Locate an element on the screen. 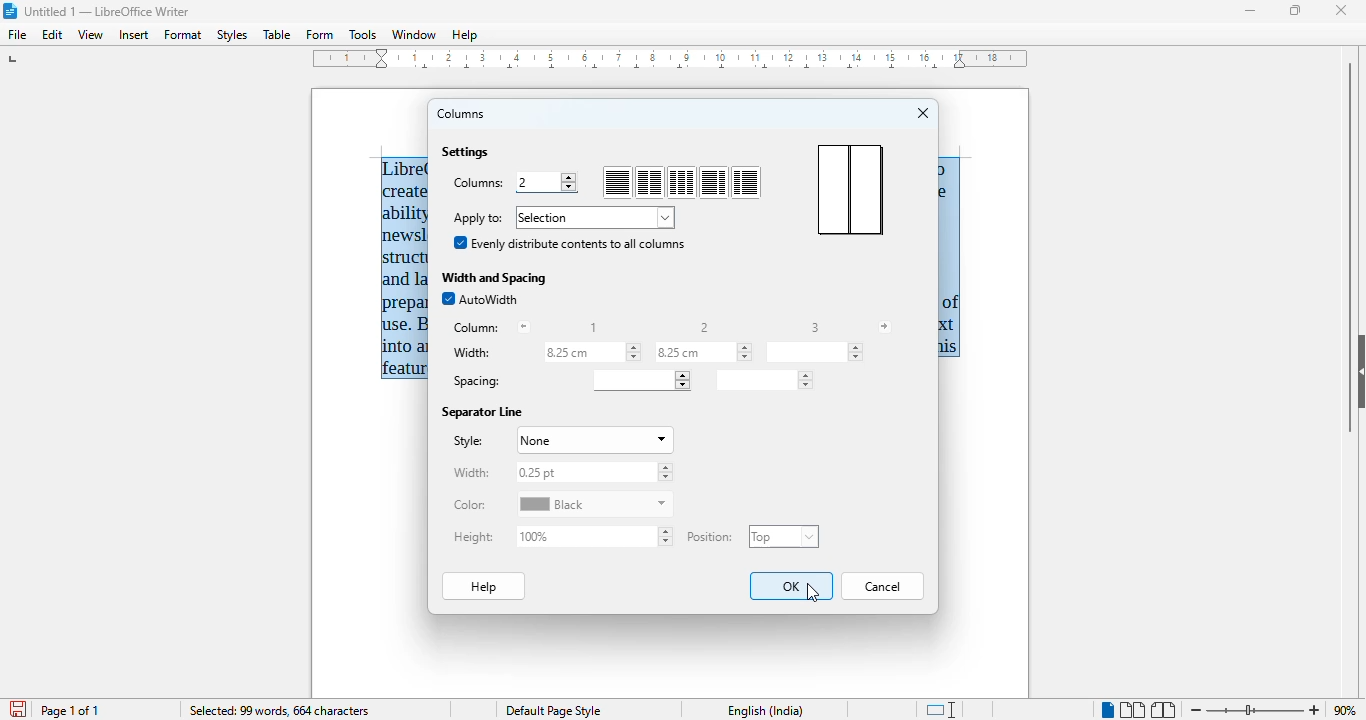 The width and height of the screenshot is (1366, 720). settings is located at coordinates (466, 152).